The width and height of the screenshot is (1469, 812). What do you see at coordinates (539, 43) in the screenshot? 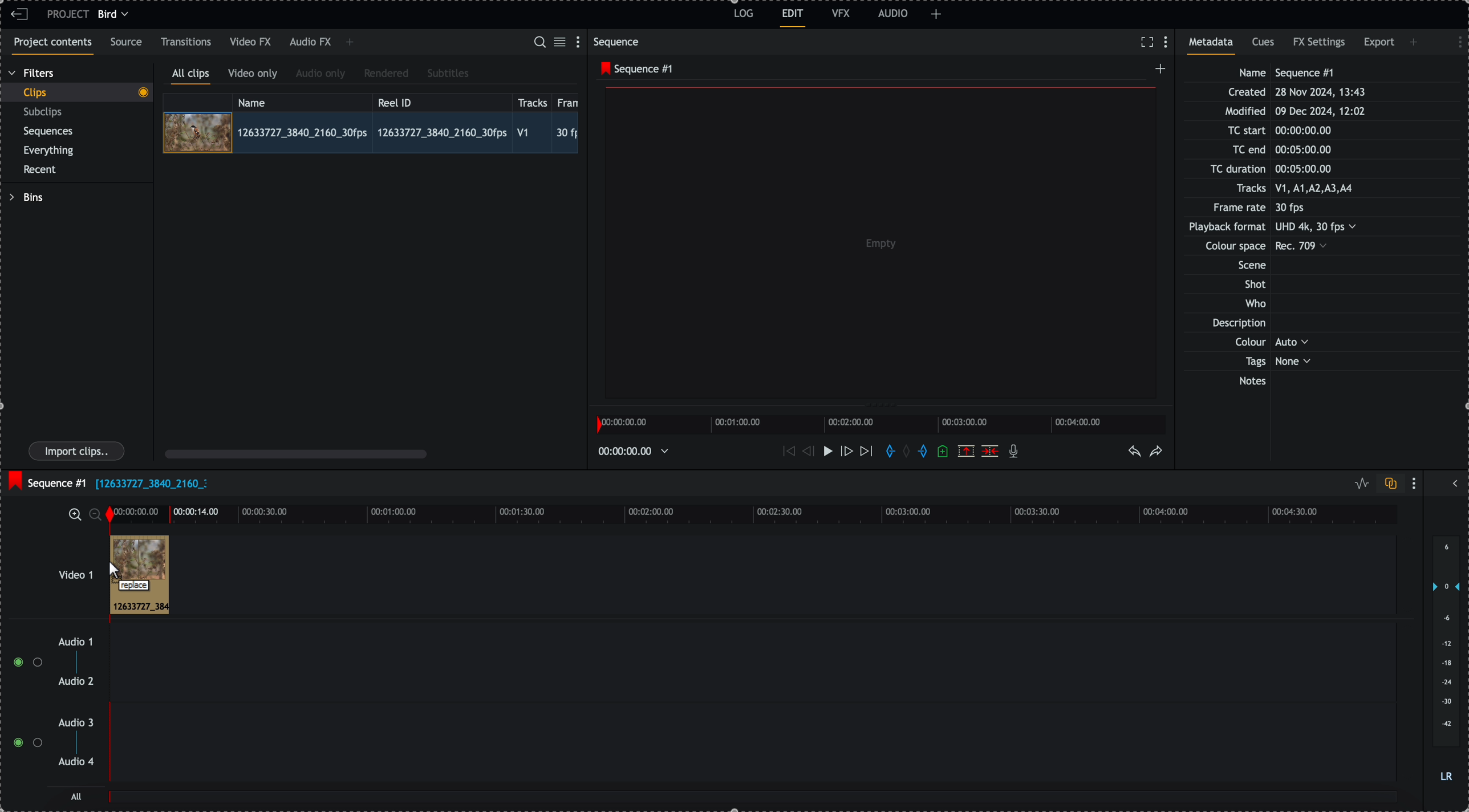
I see `search for assets or bins` at bounding box center [539, 43].